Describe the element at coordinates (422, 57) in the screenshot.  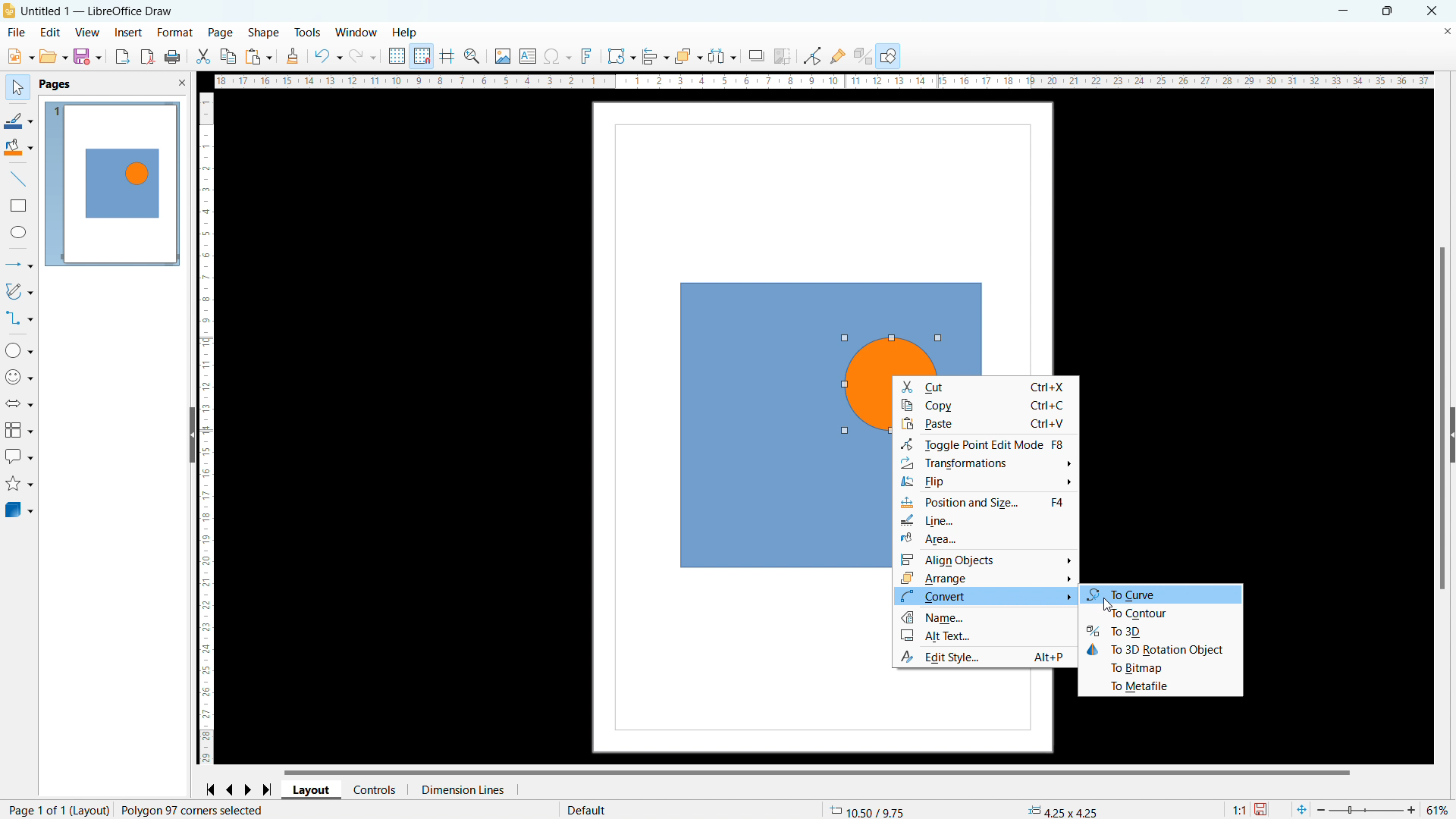
I see `snap to grid` at that location.